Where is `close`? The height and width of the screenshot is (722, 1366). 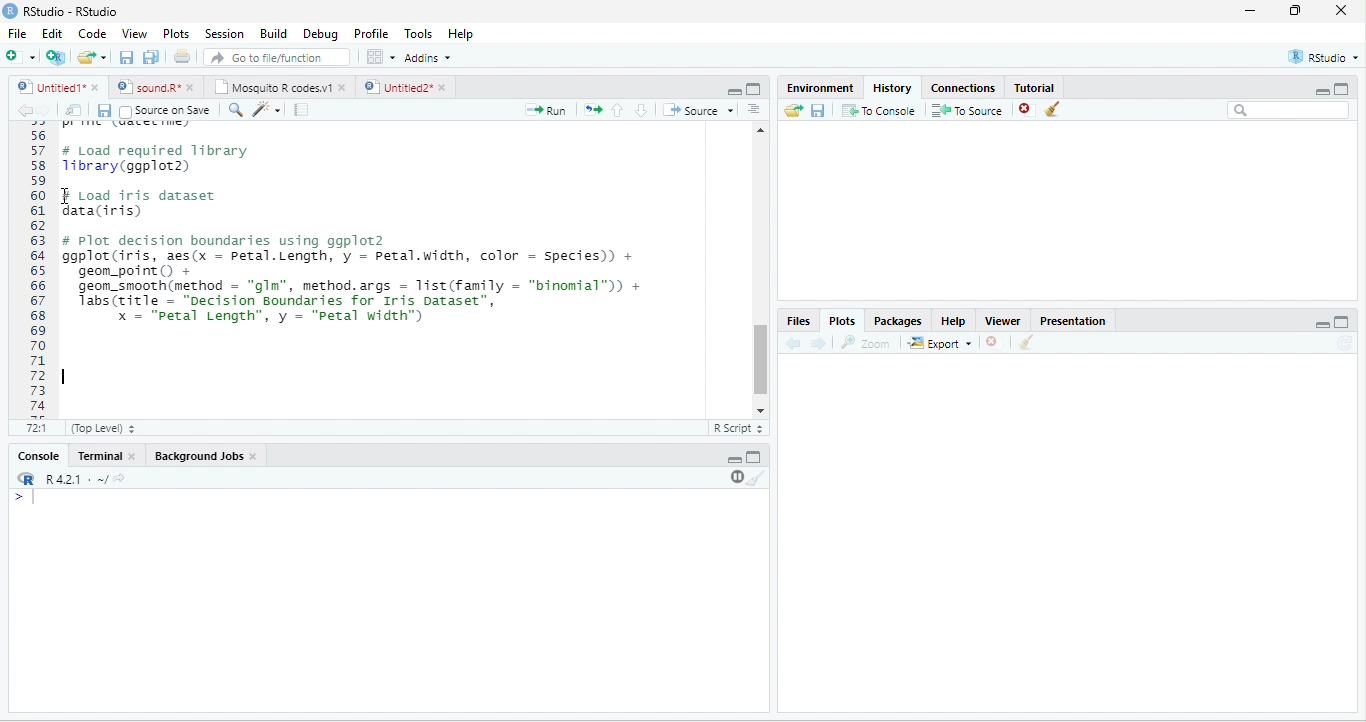
close is located at coordinates (254, 456).